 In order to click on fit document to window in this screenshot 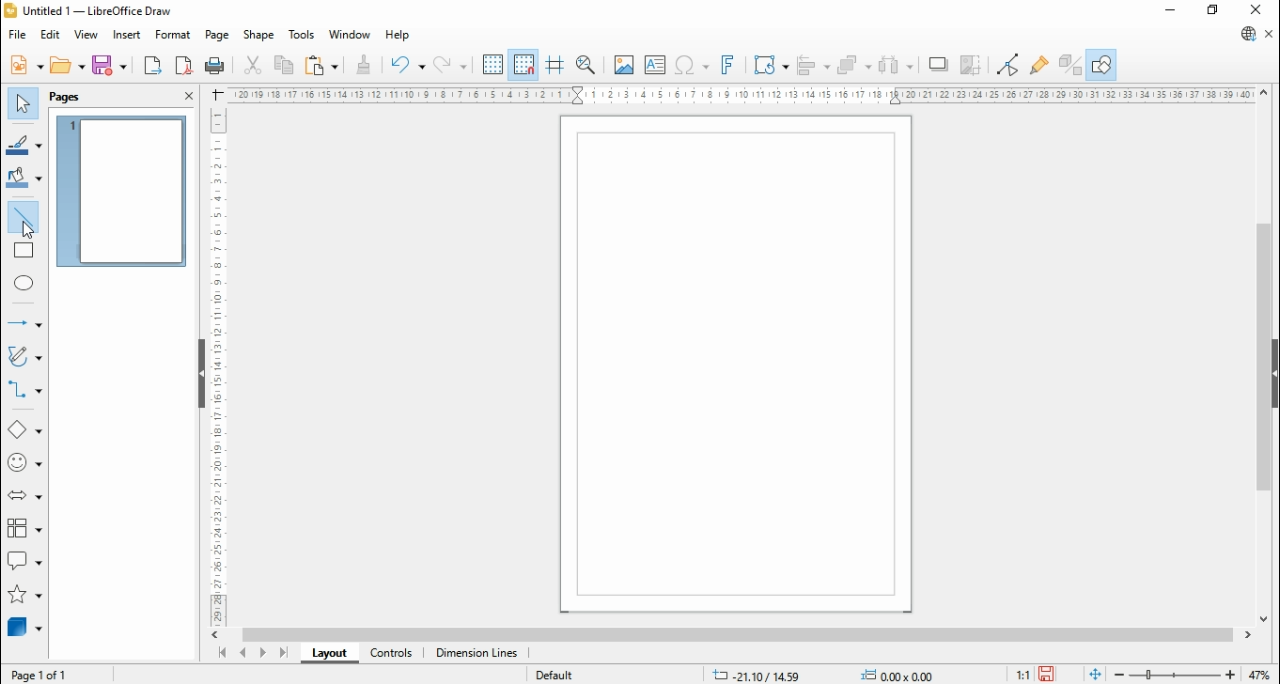, I will do `click(1095, 675)`.